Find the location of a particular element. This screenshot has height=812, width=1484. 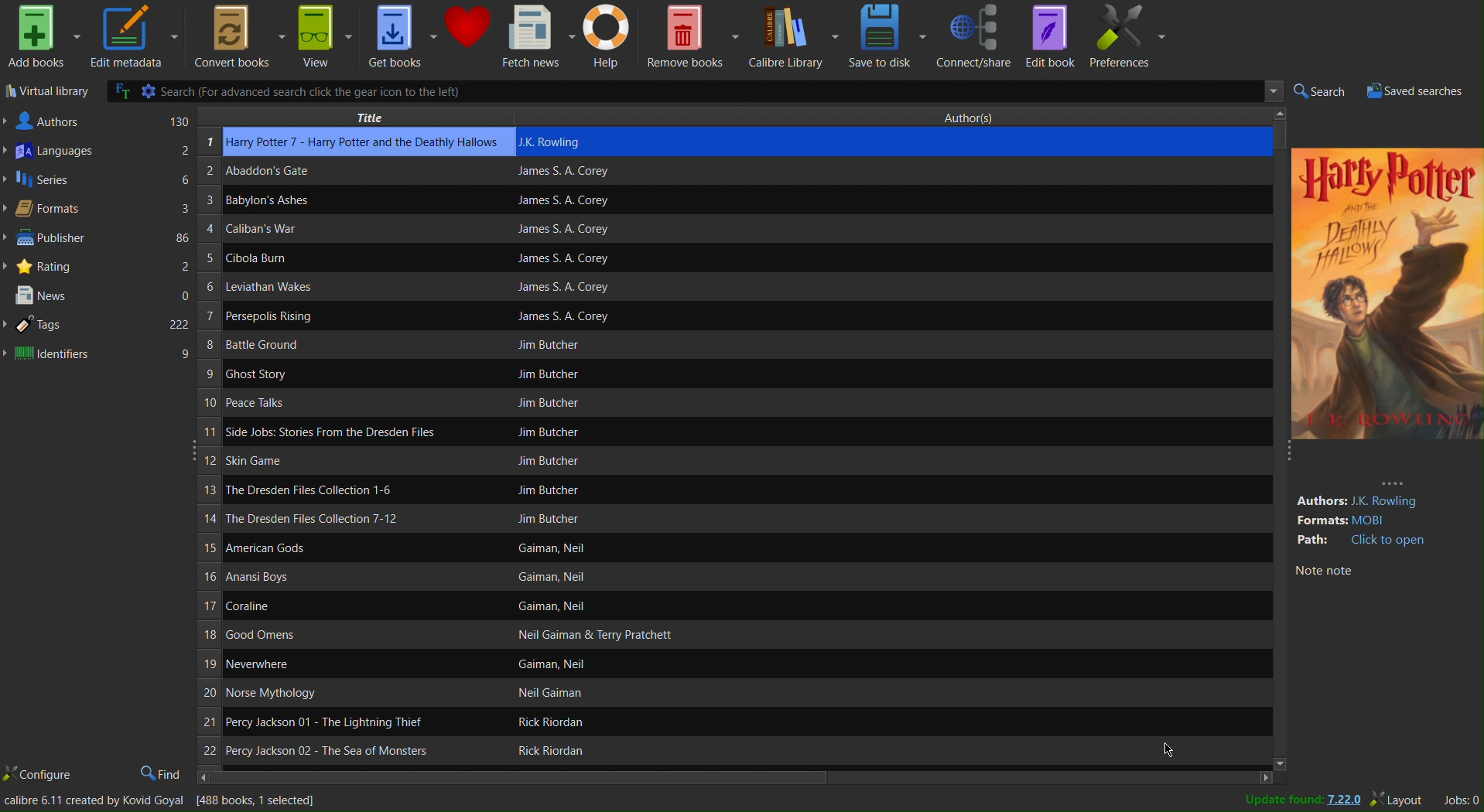

Author’s name is located at coordinates (665, 549).